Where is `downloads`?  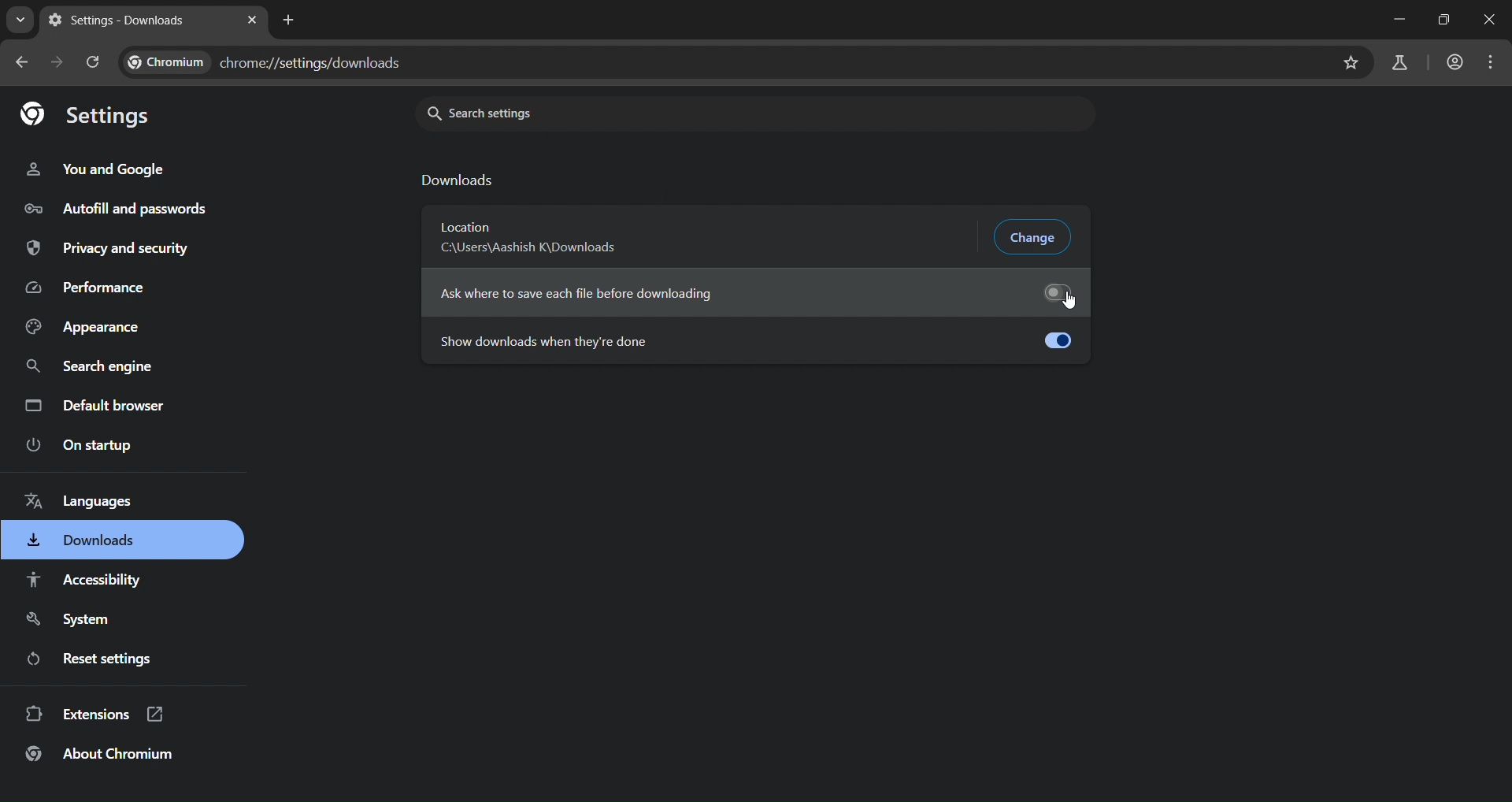
downloads is located at coordinates (461, 181).